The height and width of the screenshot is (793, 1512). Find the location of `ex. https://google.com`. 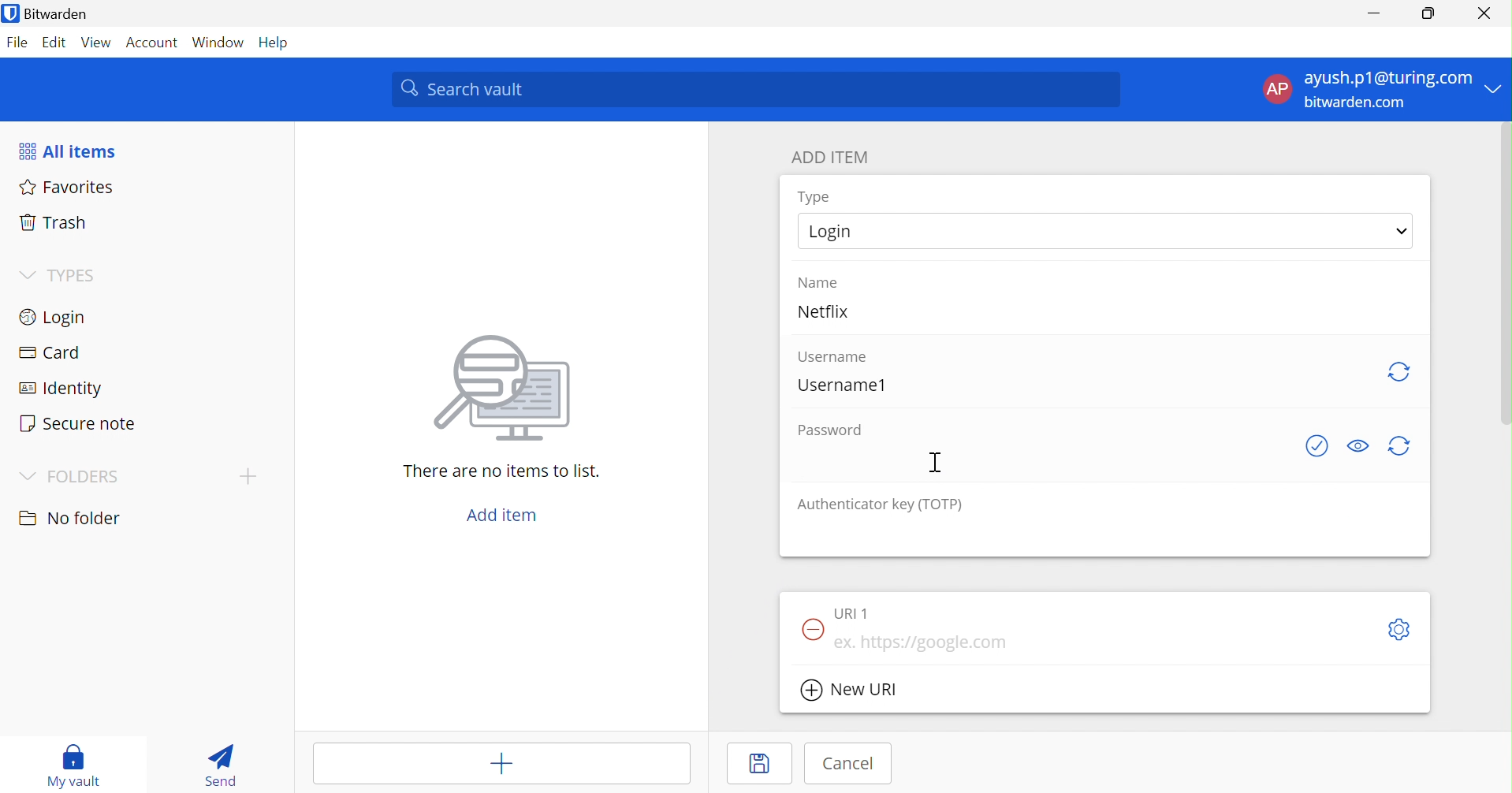

ex. https://google.com is located at coordinates (923, 642).